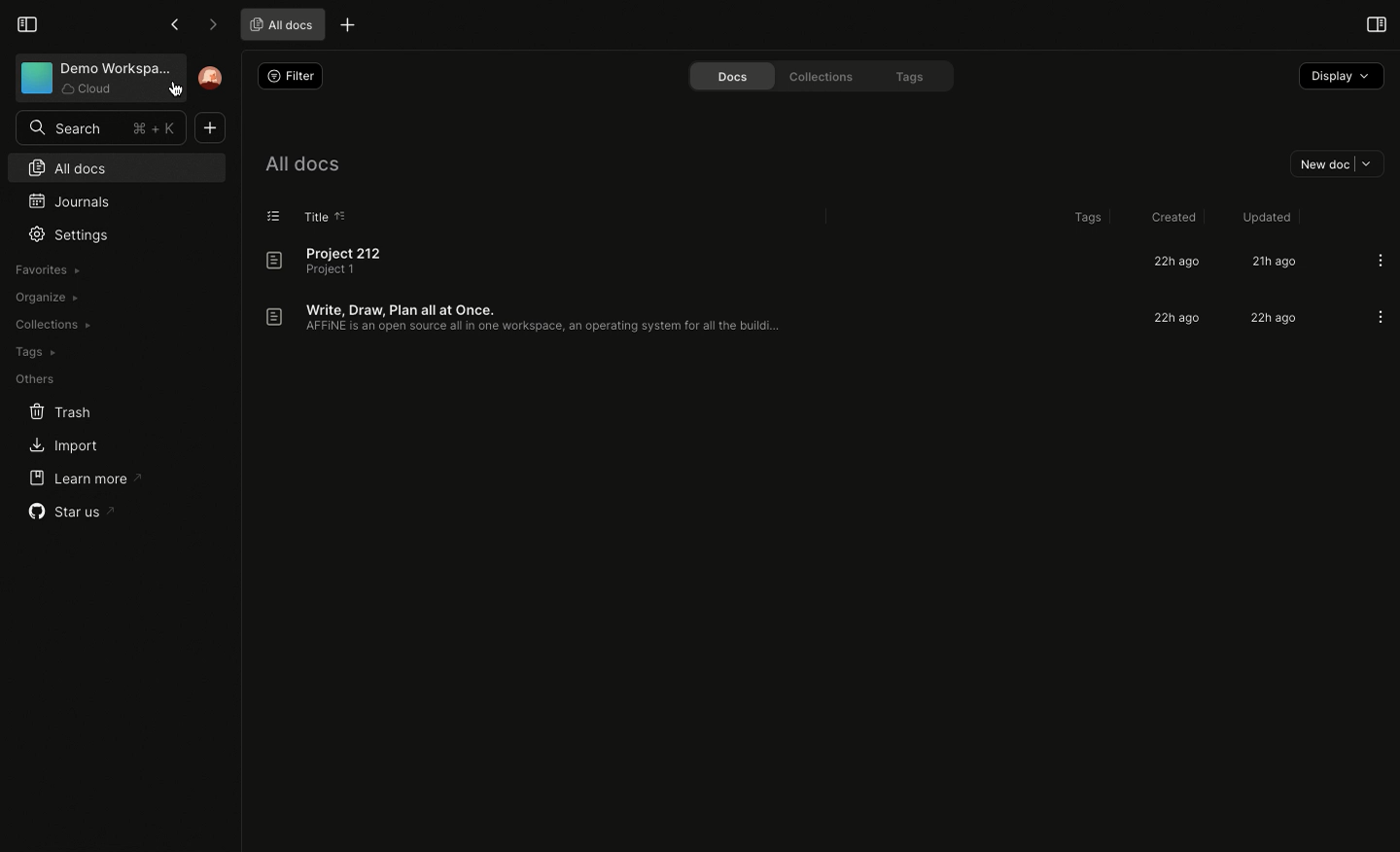 This screenshot has width=1400, height=852. Describe the element at coordinates (209, 129) in the screenshot. I see `New doc` at that location.